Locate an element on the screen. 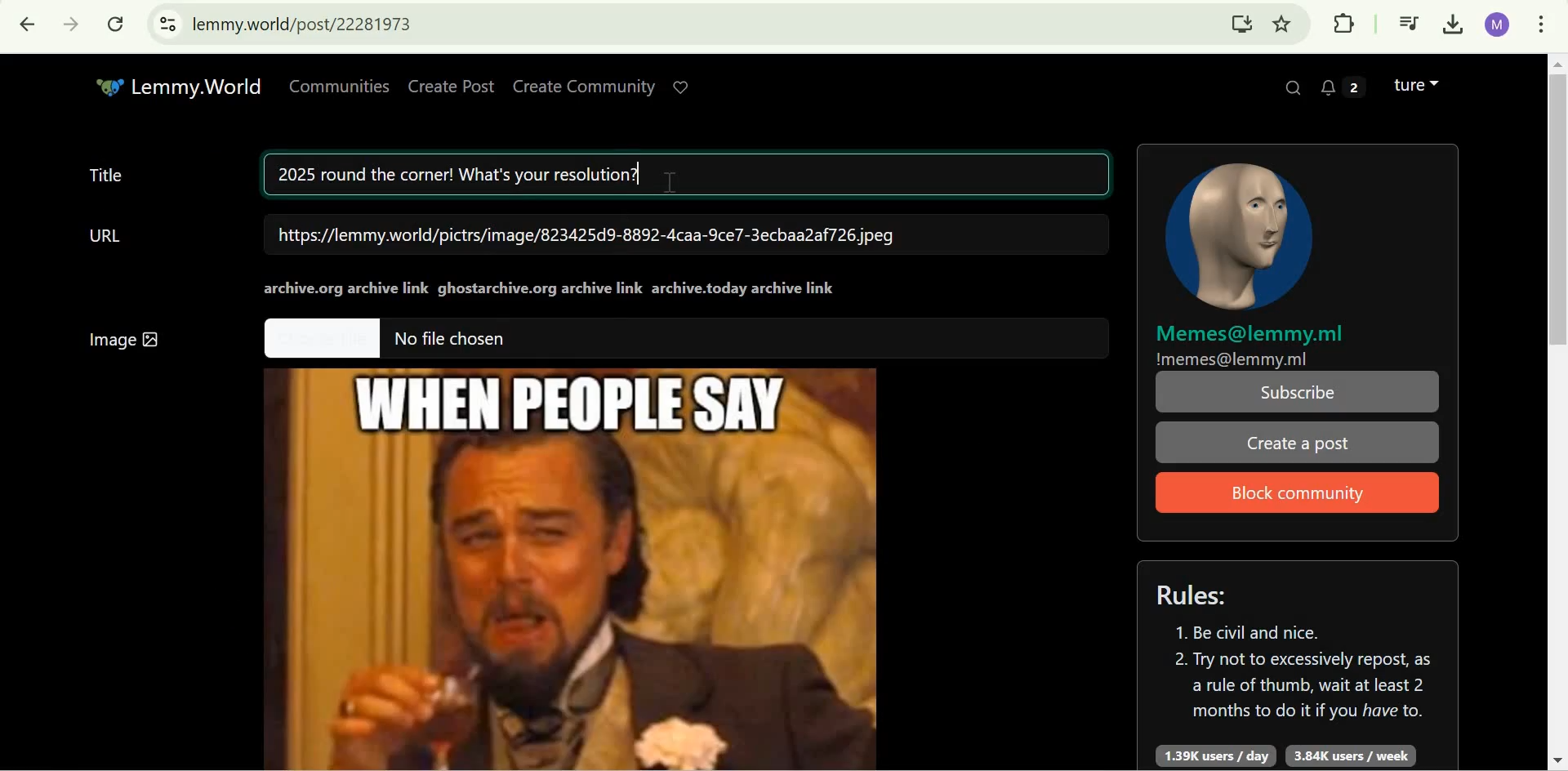 The width and height of the screenshot is (1568, 771). URL is located at coordinates (106, 235).